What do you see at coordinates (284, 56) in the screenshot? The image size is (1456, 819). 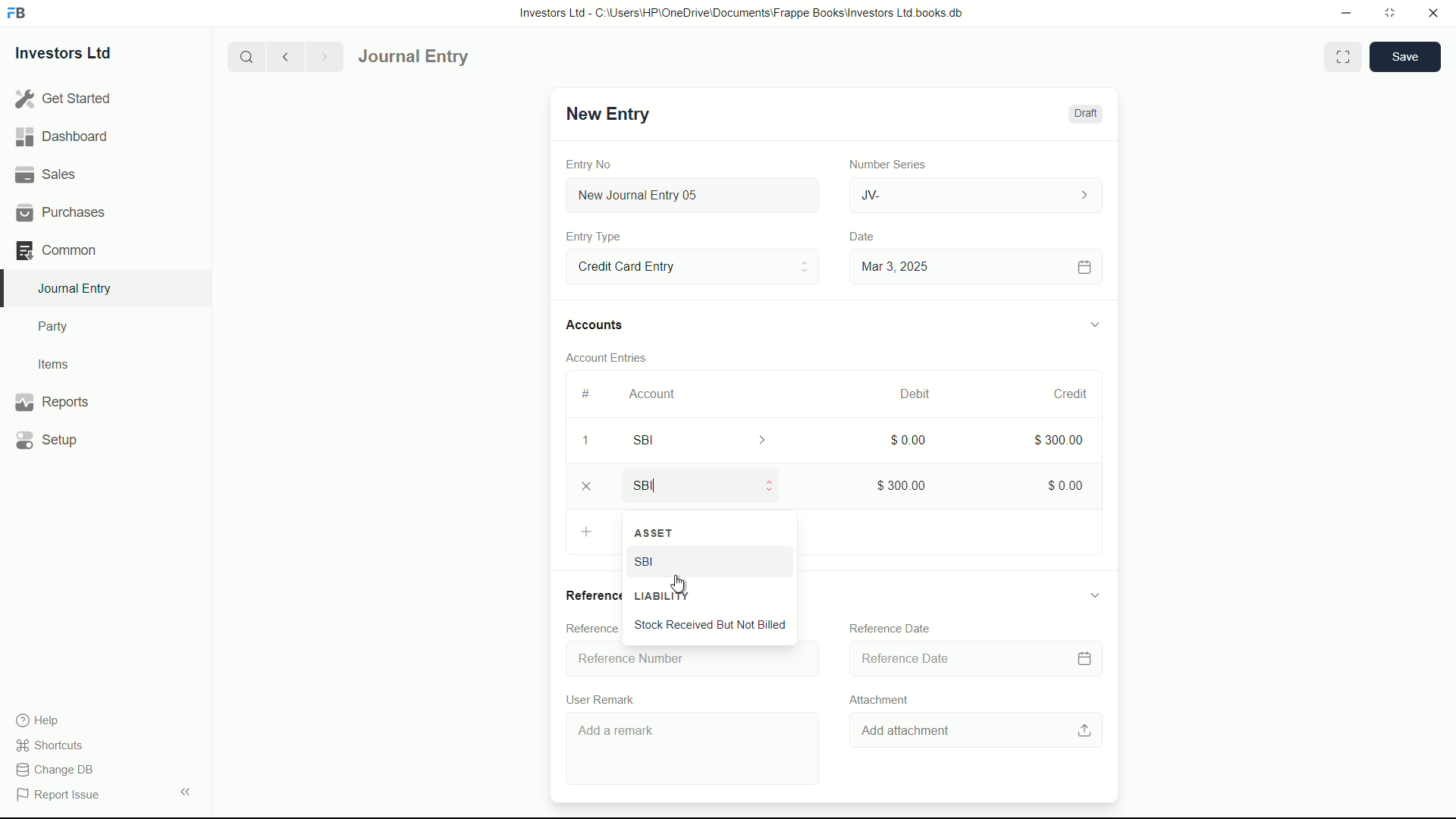 I see `previous` at bounding box center [284, 56].